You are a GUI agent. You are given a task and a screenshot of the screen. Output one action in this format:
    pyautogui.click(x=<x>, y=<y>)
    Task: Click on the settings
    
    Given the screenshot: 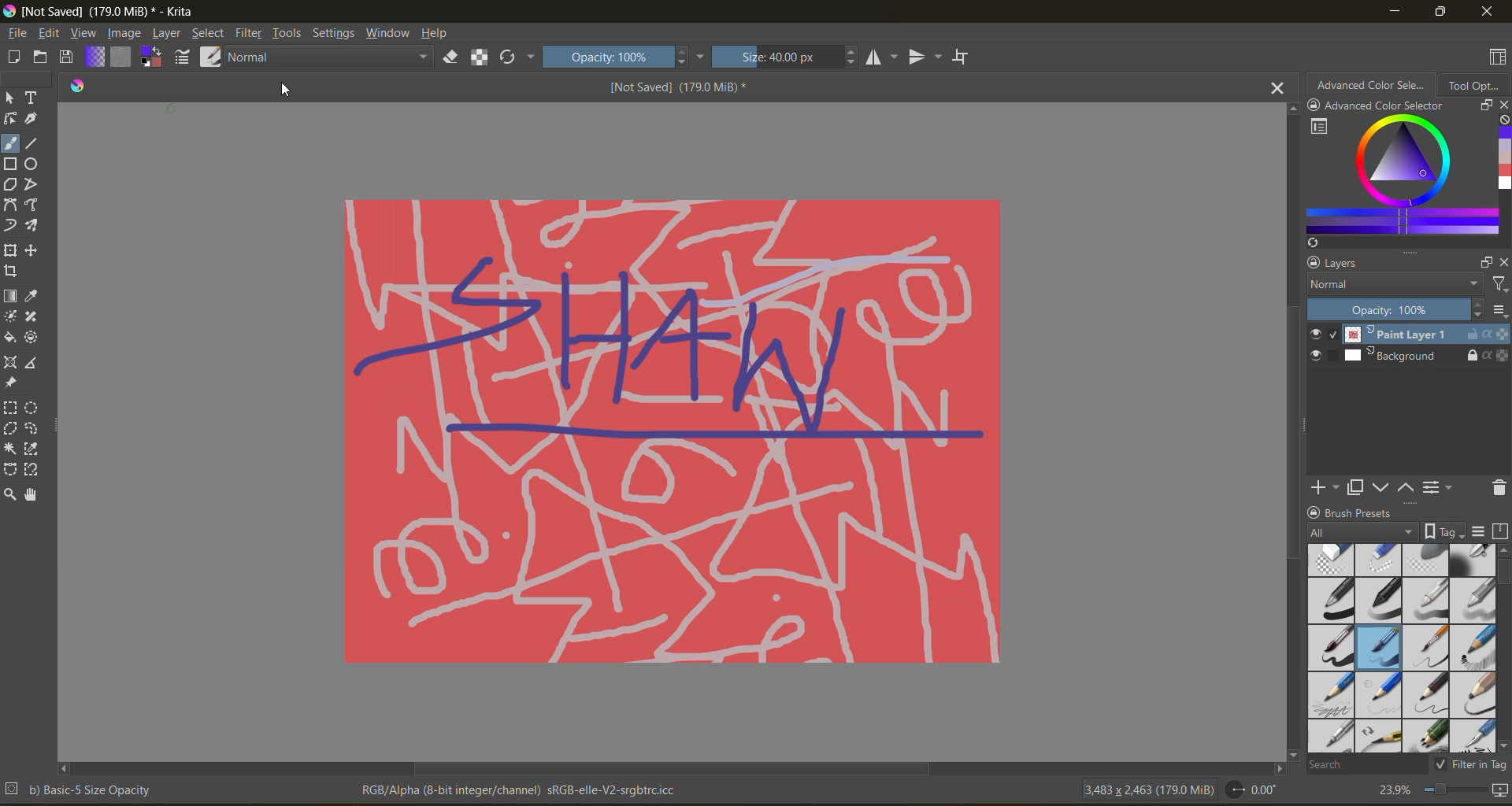 What is the action you would take?
    pyautogui.click(x=334, y=33)
    